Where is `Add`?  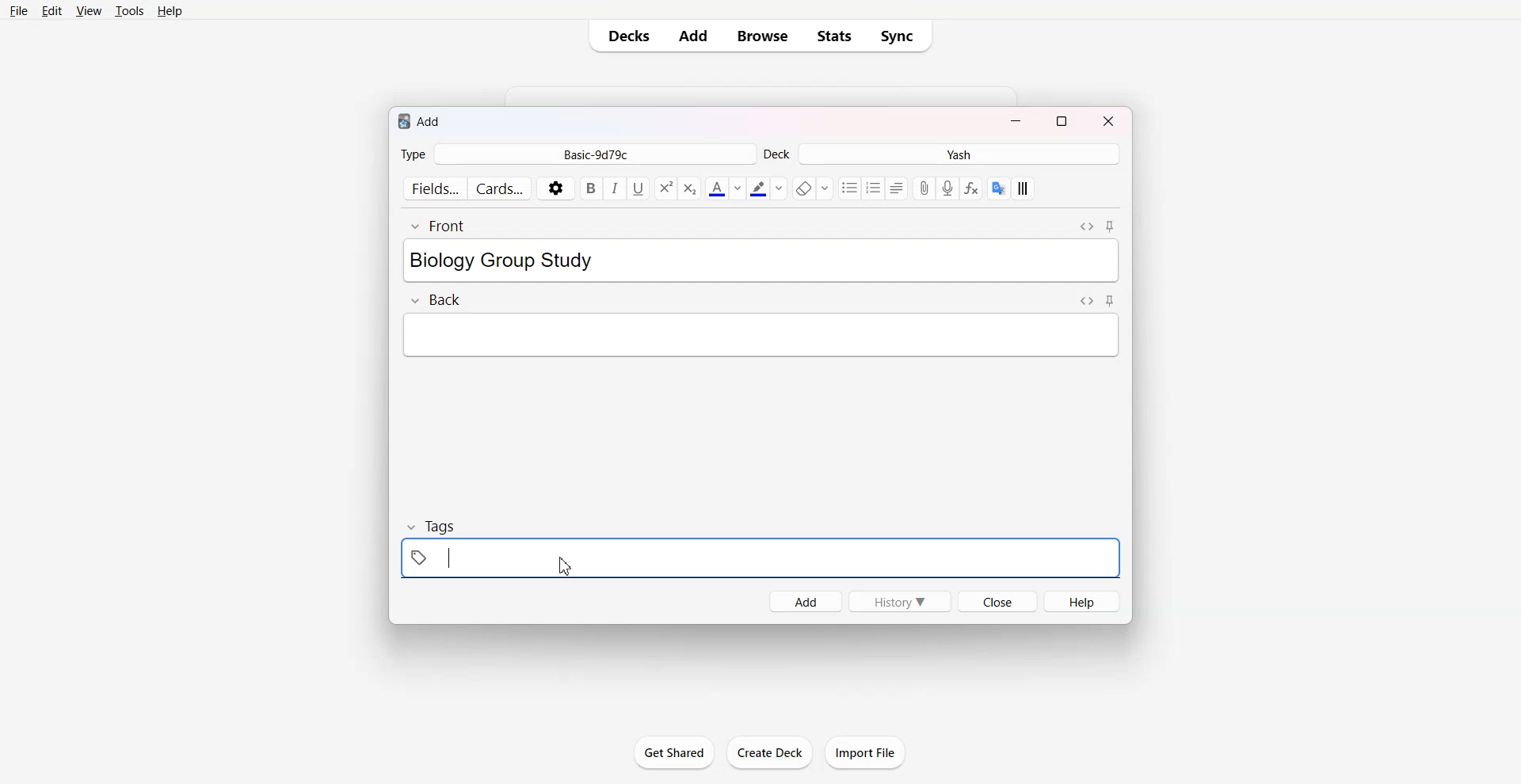 Add is located at coordinates (693, 36).